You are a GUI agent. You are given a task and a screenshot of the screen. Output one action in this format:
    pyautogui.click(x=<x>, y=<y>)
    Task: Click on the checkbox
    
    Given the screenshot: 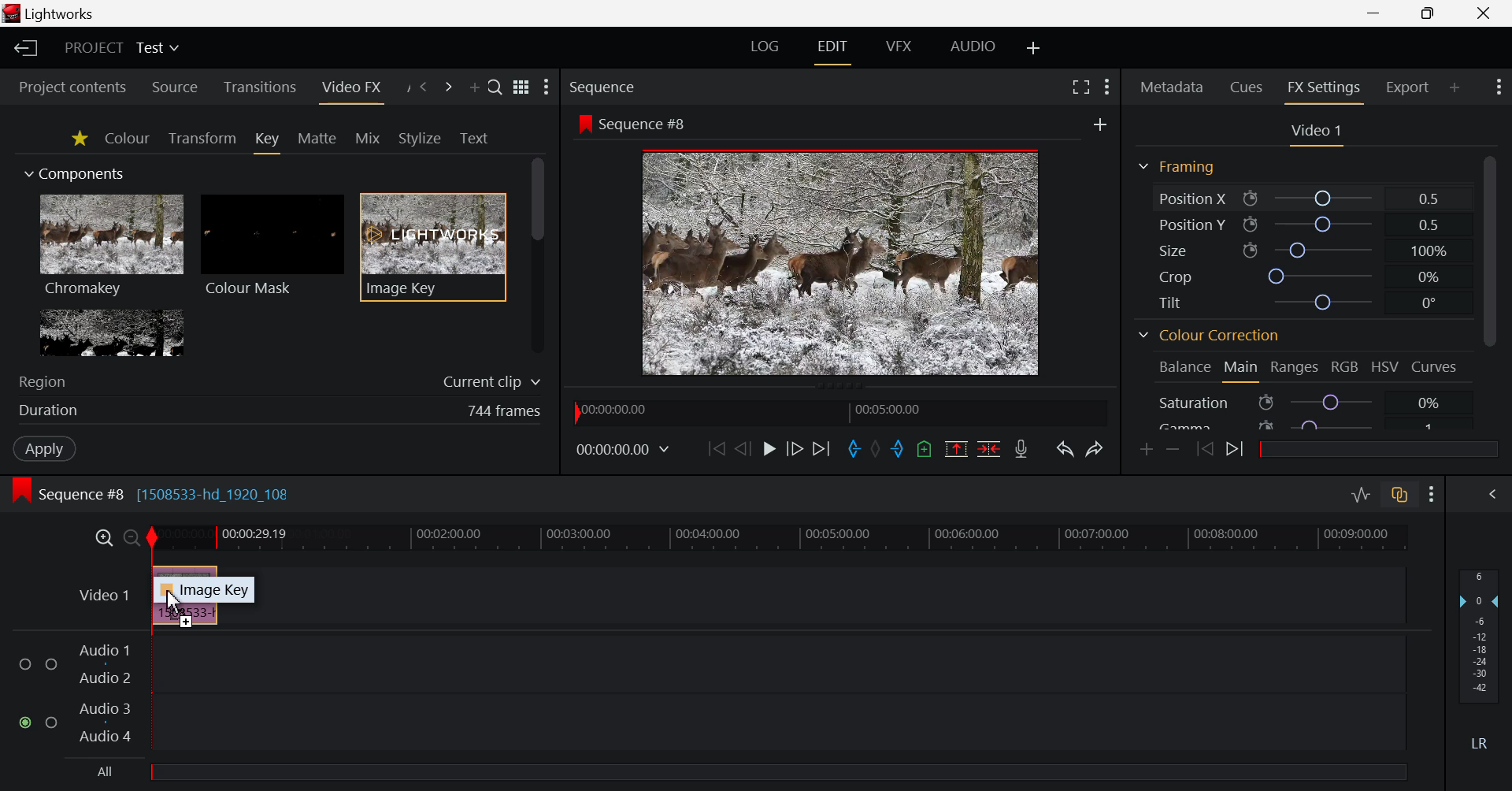 What is the action you would take?
    pyautogui.click(x=52, y=722)
    